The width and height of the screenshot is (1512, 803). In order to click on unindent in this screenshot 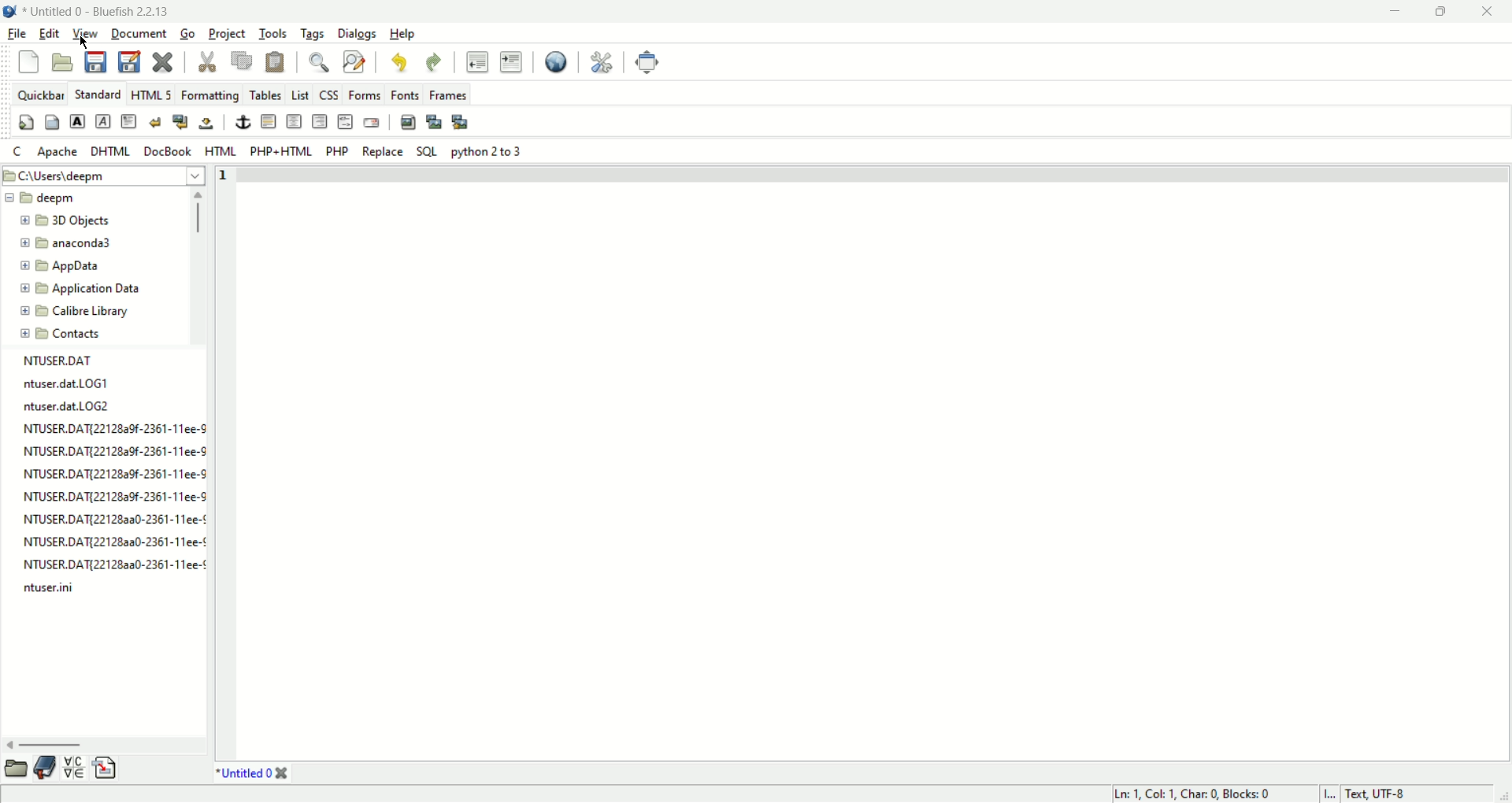, I will do `click(477, 62)`.